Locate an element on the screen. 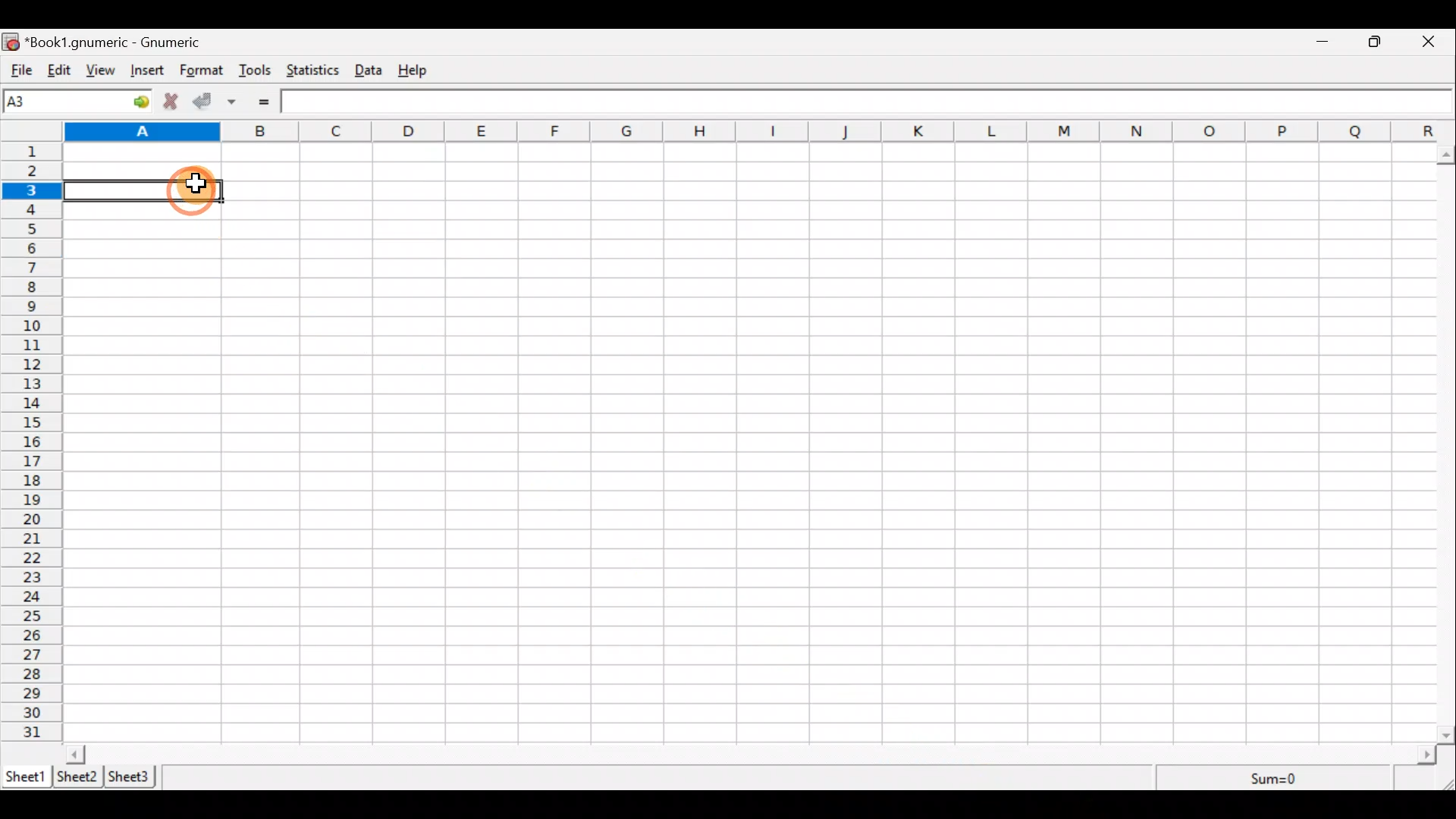 Image resolution: width=1456 pixels, height=819 pixels. Insert is located at coordinates (147, 71).